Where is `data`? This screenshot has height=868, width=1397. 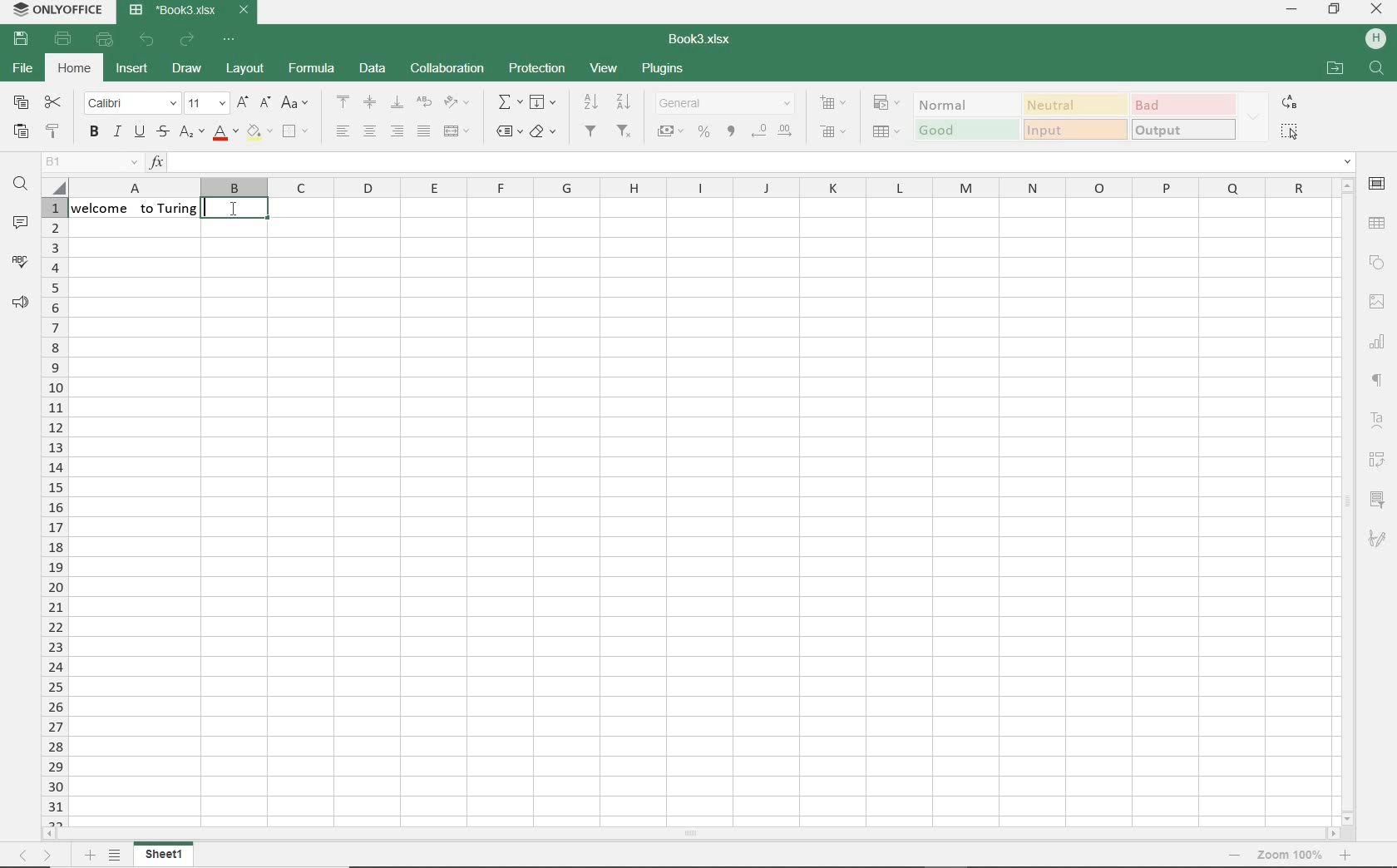
data is located at coordinates (370, 70).